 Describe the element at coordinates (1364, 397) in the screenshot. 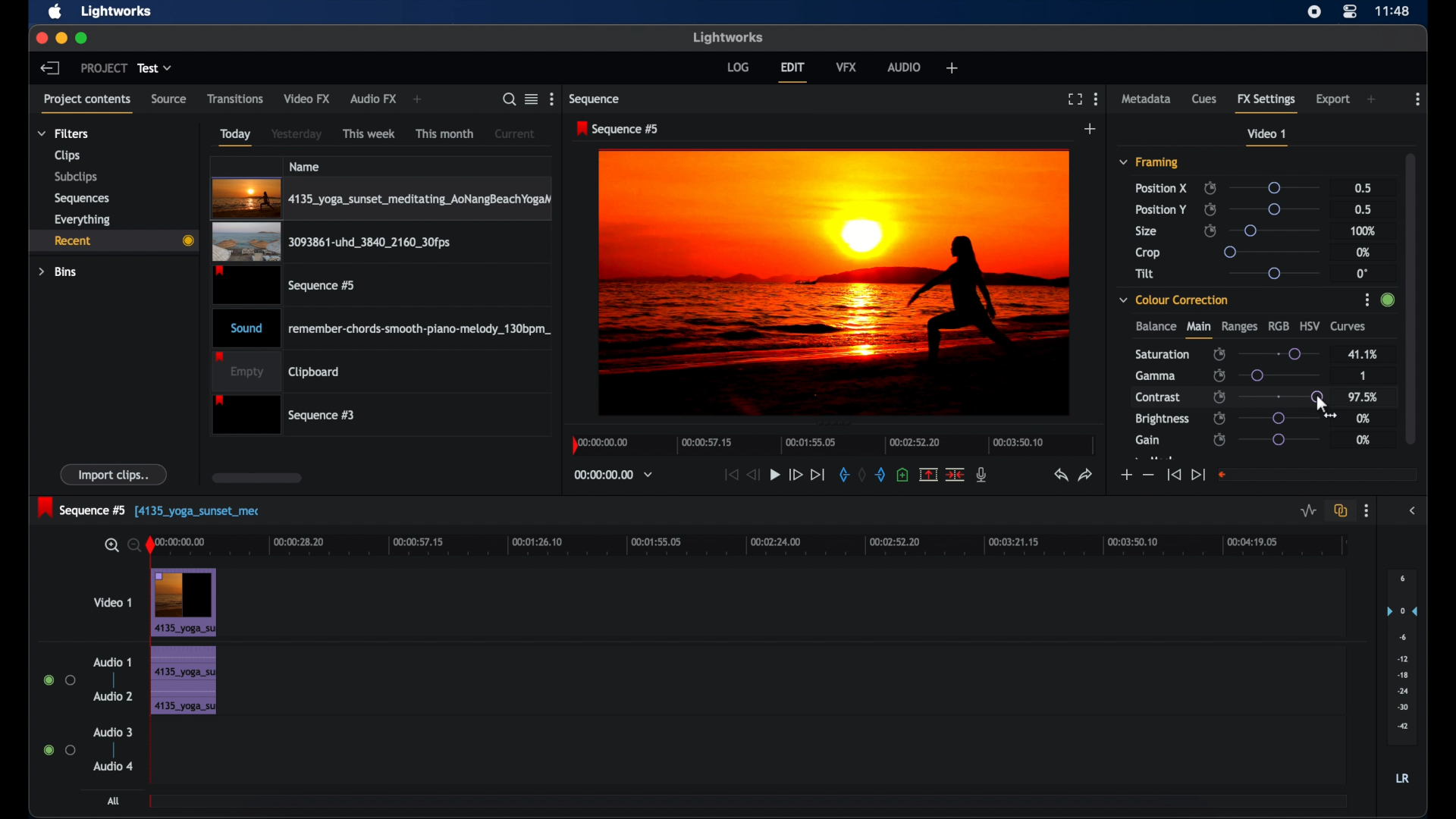

I see `97.5%` at that location.